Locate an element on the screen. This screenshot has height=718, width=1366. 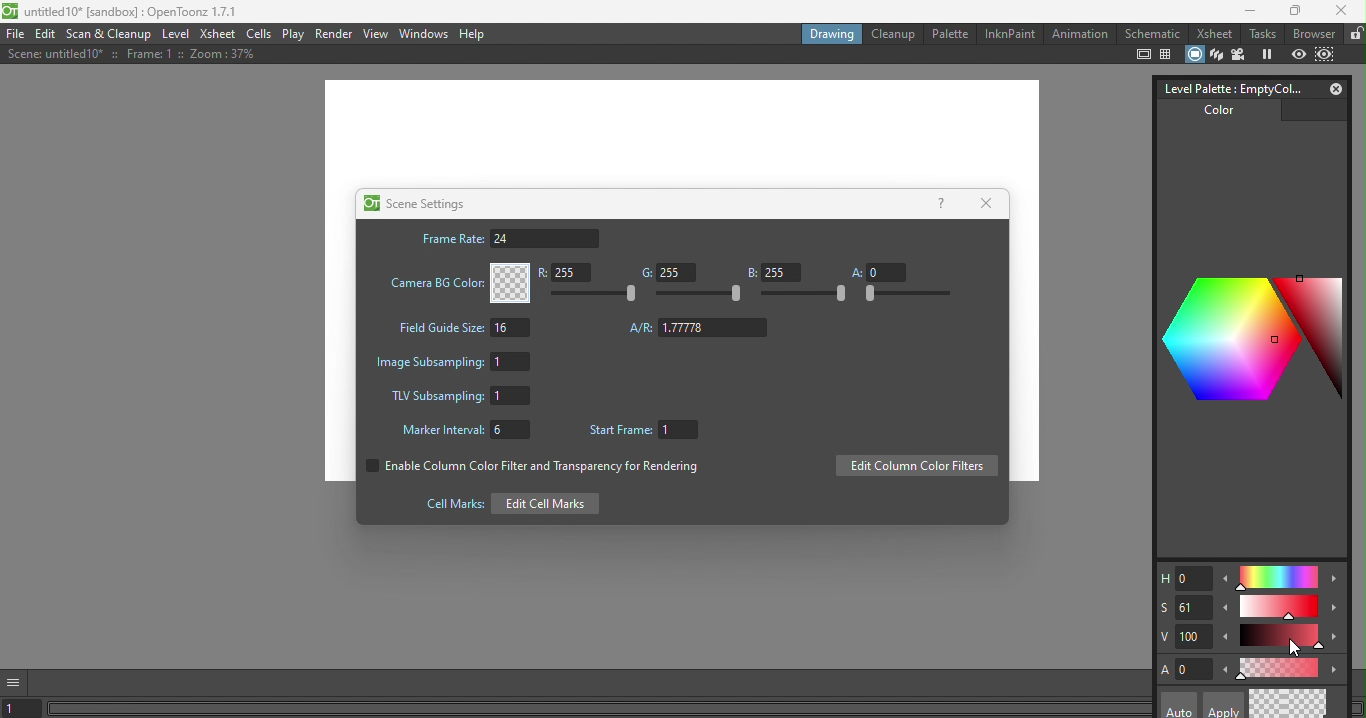
Windows is located at coordinates (422, 34).